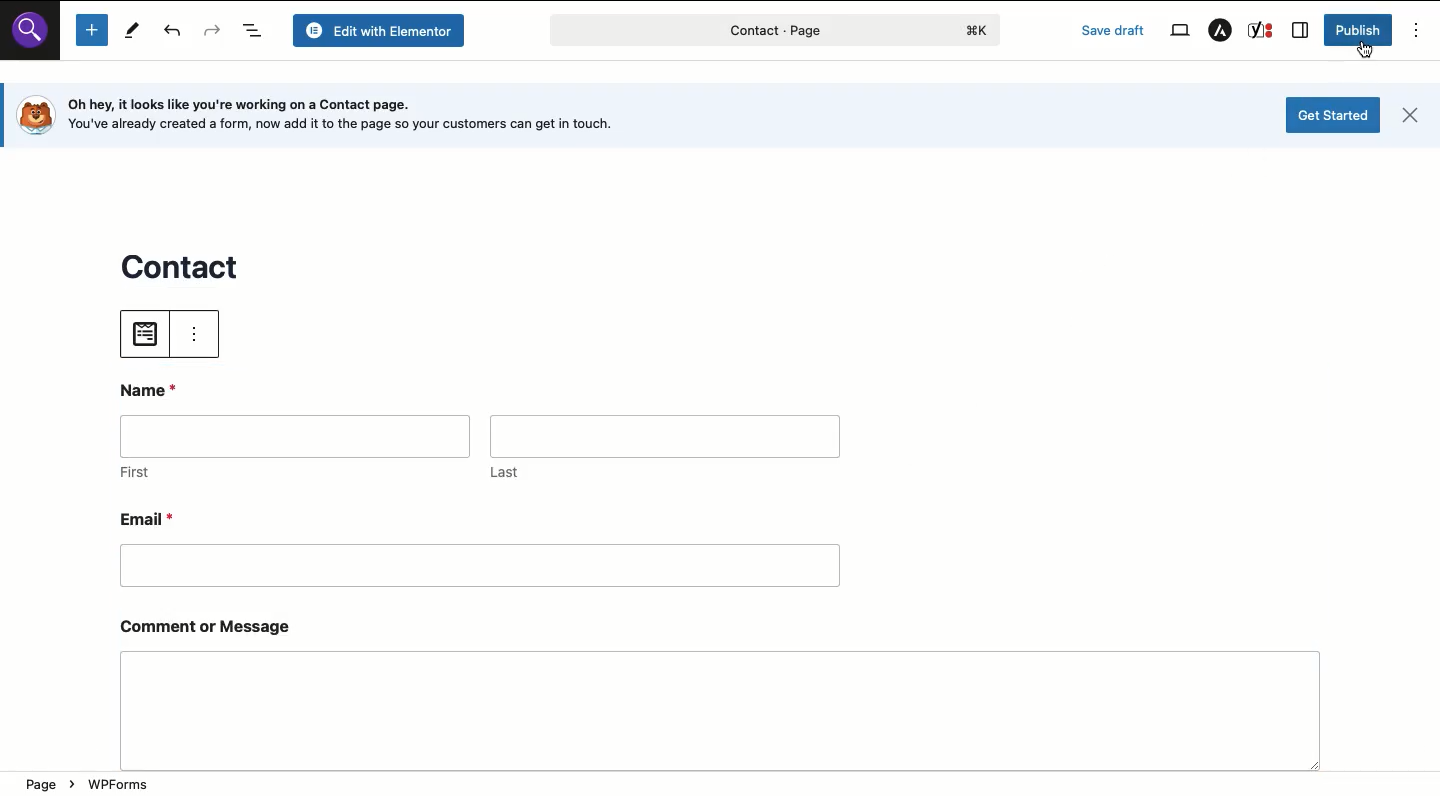 This screenshot has width=1440, height=796. I want to click on Name, so click(153, 388).